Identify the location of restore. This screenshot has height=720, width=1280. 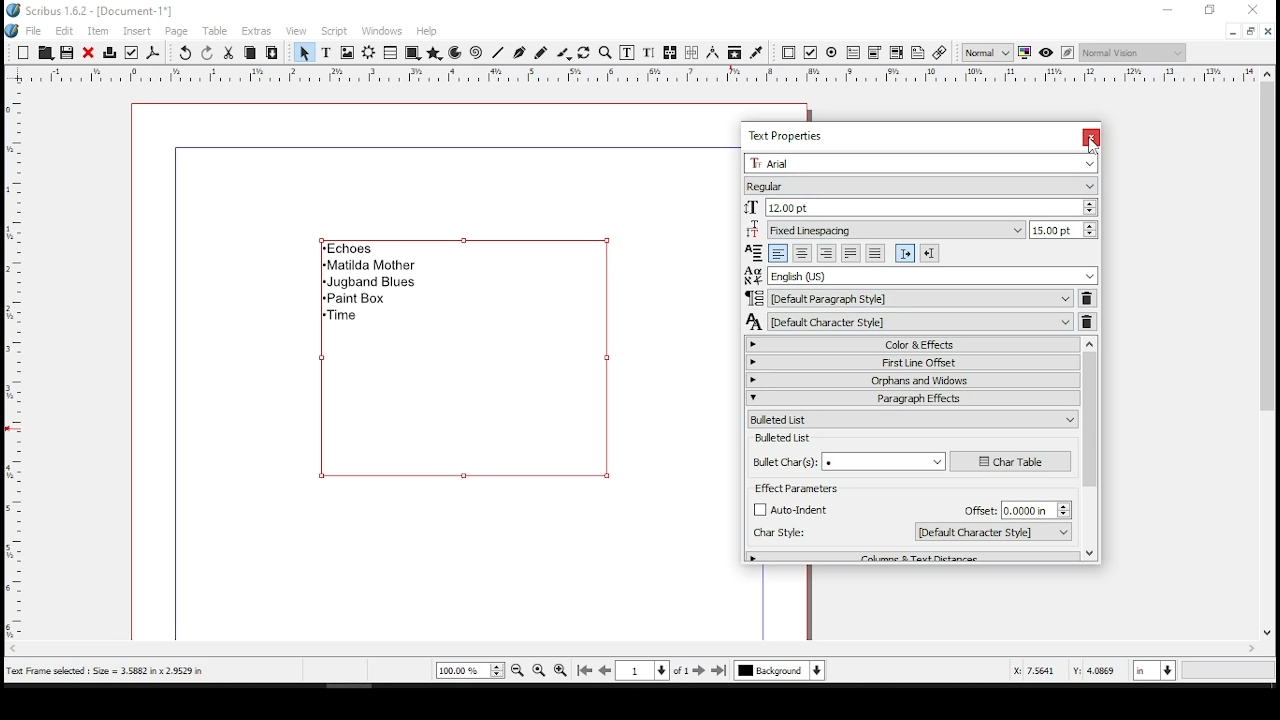
(1249, 31).